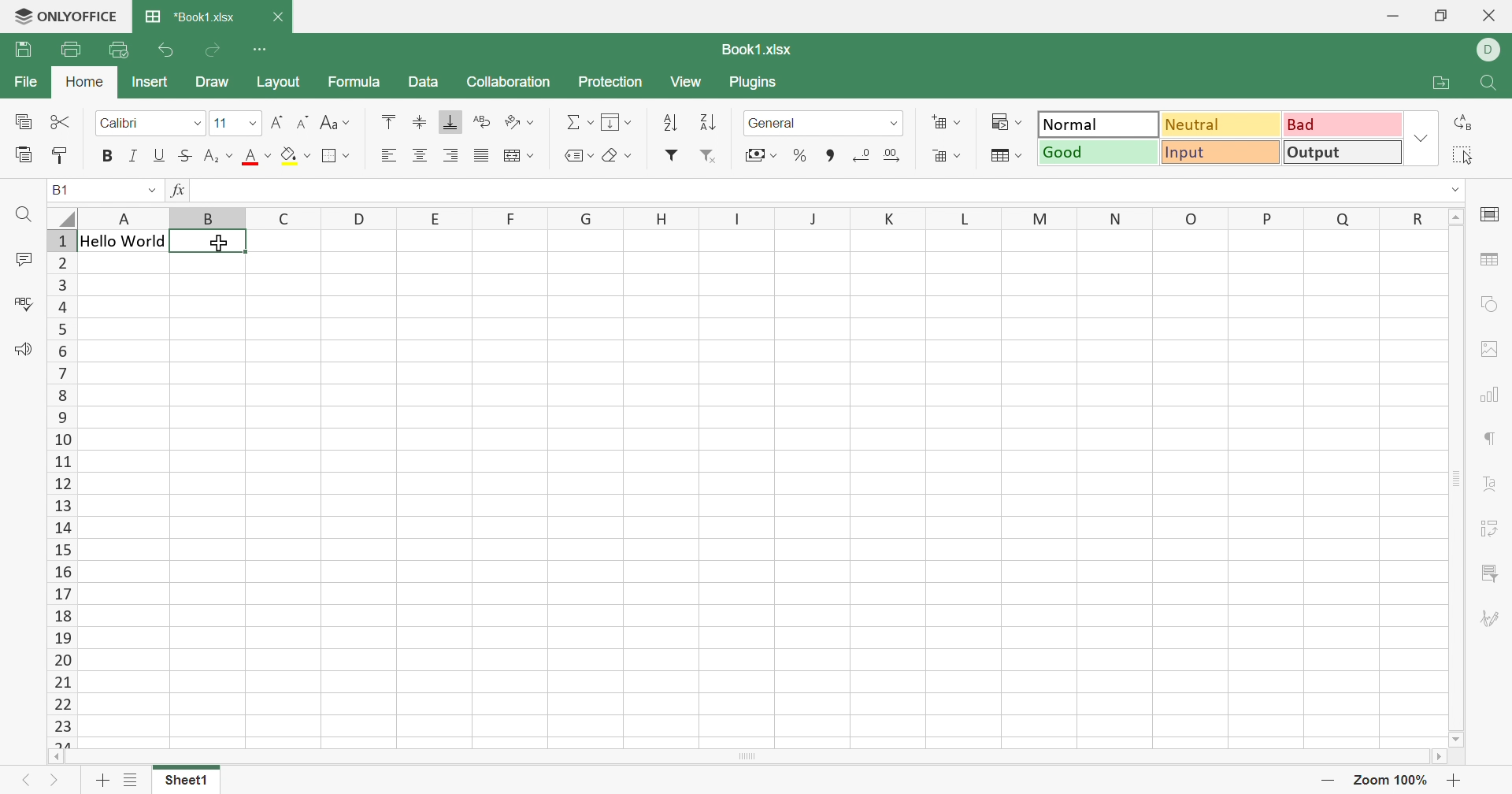  I want to click on Scroll up, so click(1456, 217).